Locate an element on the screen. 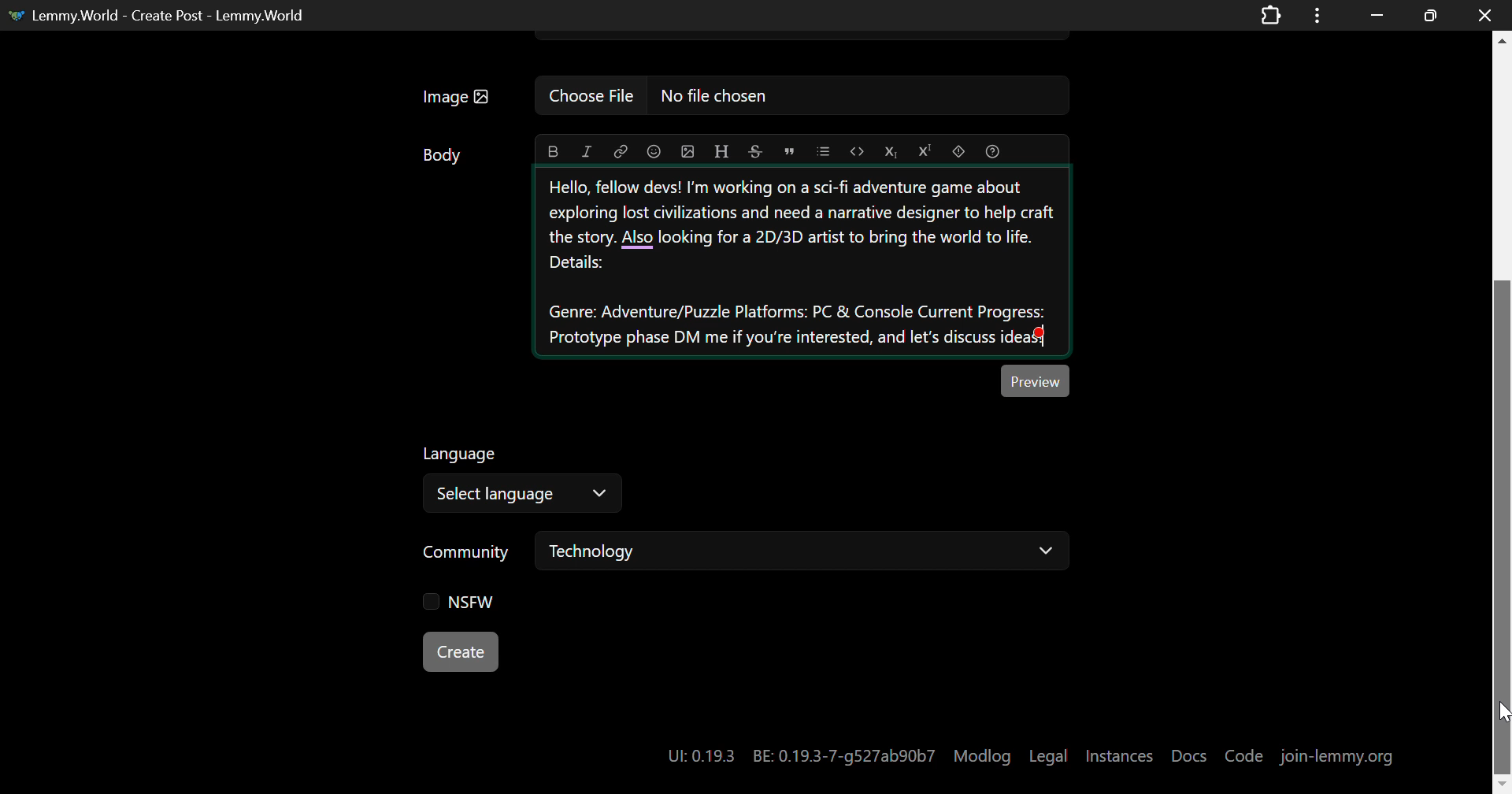 The width and height of the screenshot is (1512, 794). Image: No file chosen is located at coordinates (740, 96).